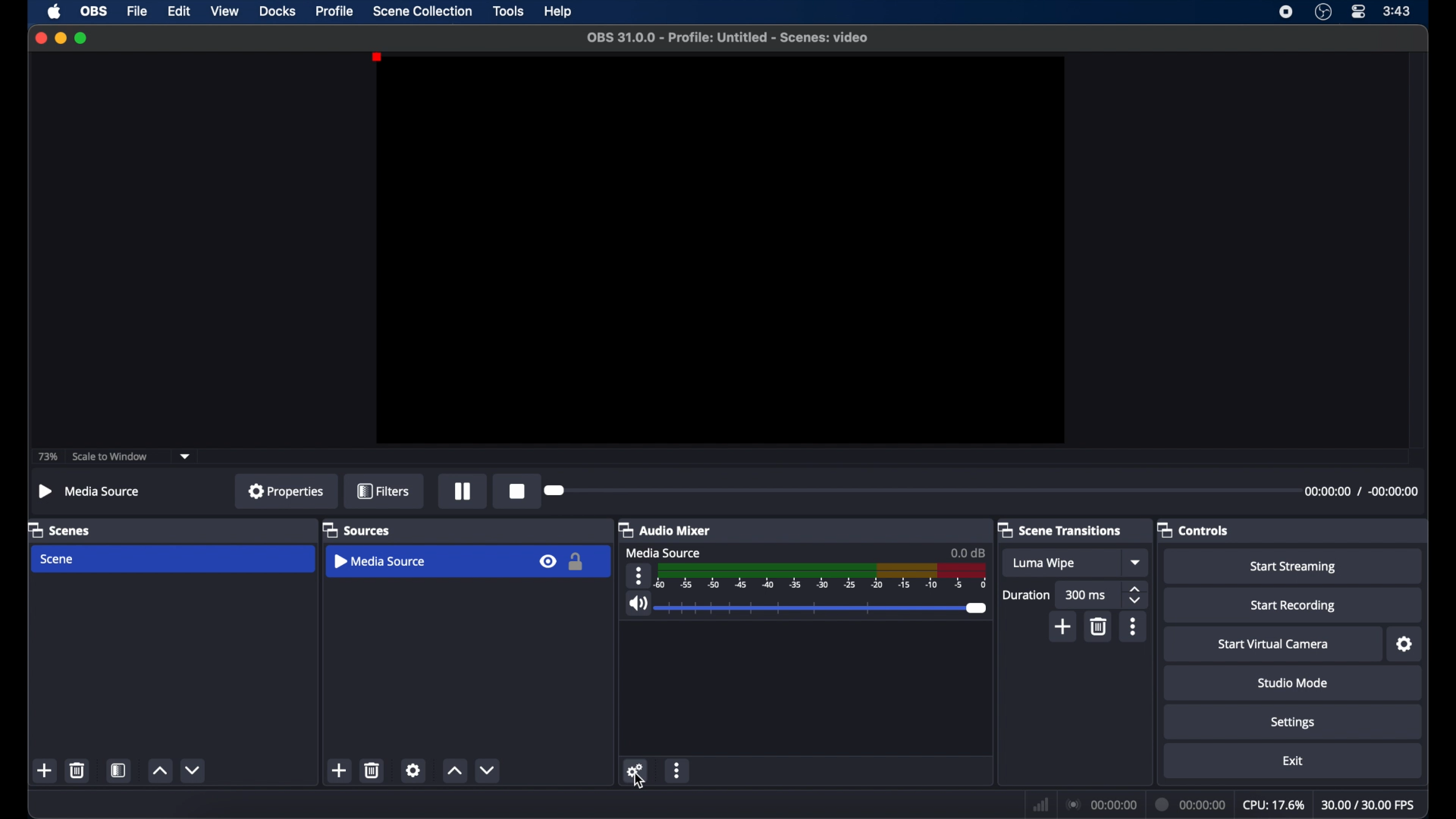  Describe the element at coordinates (1100, 627) in the screenshot. I see `delete` at that location.